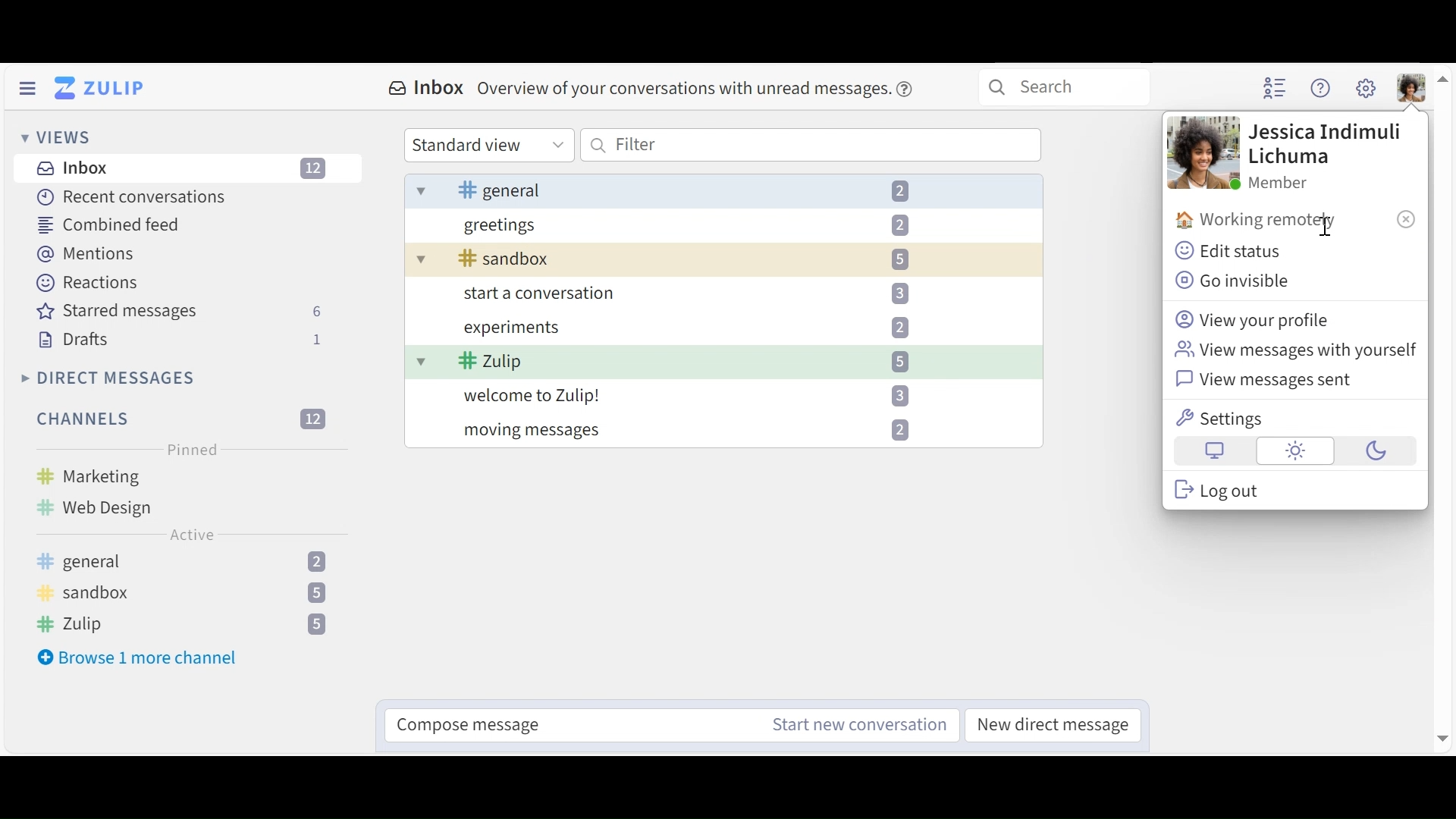 The height and width of the screenshot is (819, 1456). I want to click on View message sent, so click(1263, 379).